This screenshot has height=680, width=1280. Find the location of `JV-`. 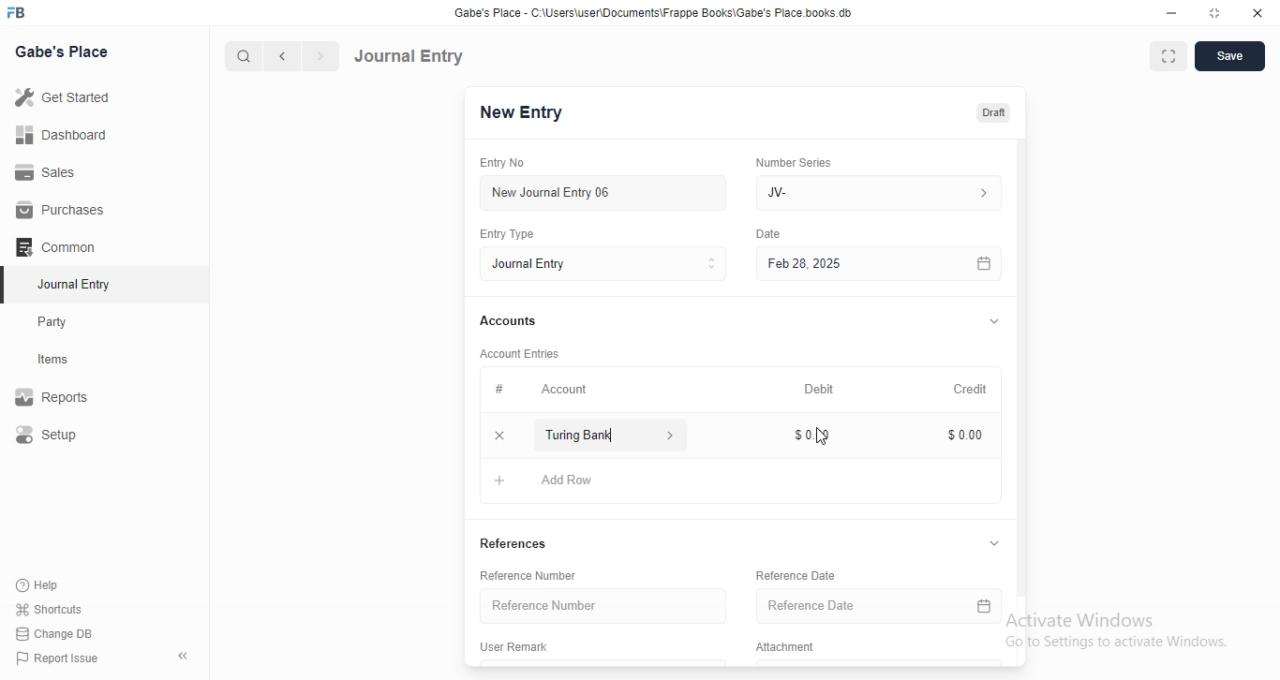

JV- is located at coordinates (878, 190).